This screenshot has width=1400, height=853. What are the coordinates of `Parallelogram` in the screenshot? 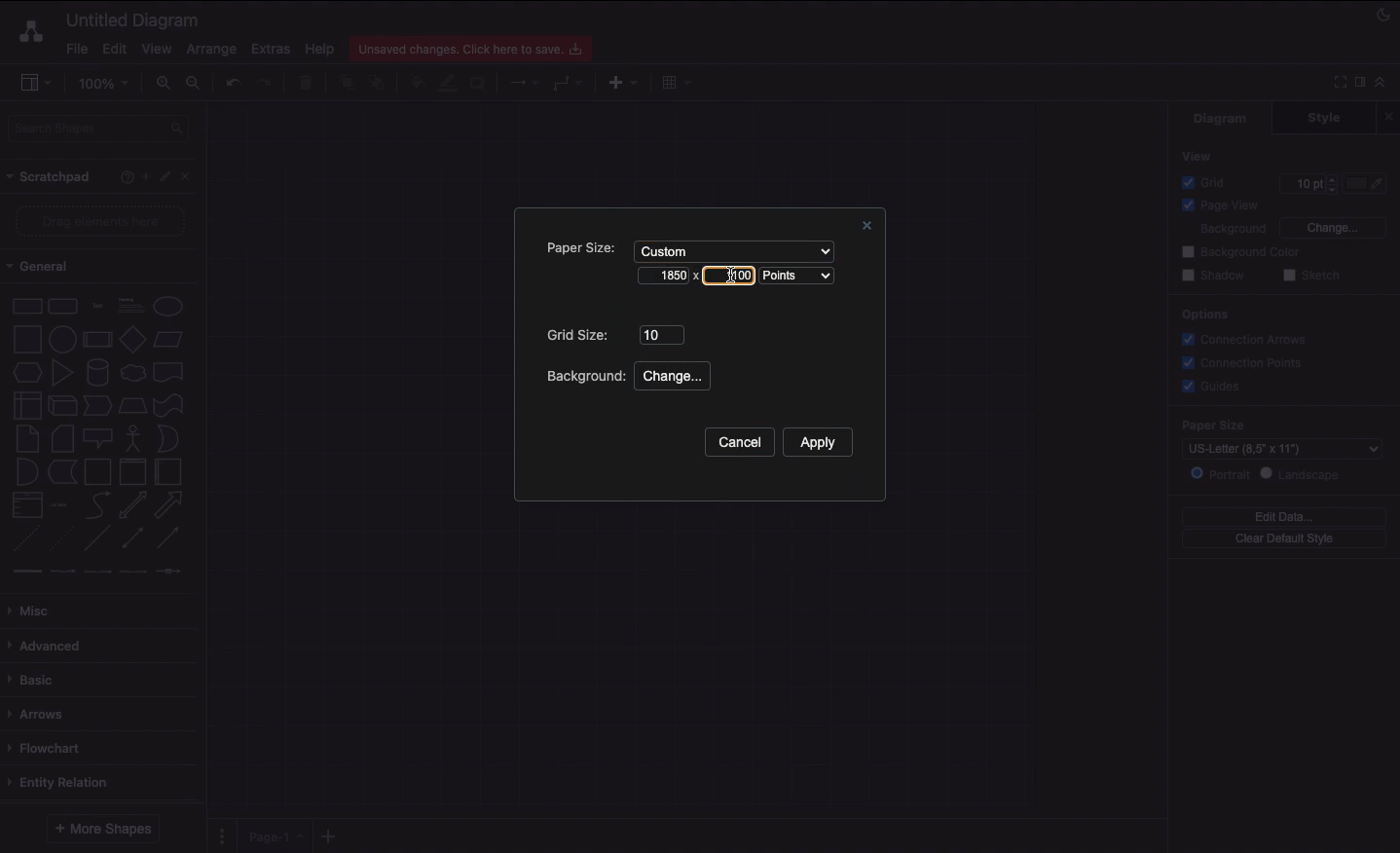 It's located at (169, 340).